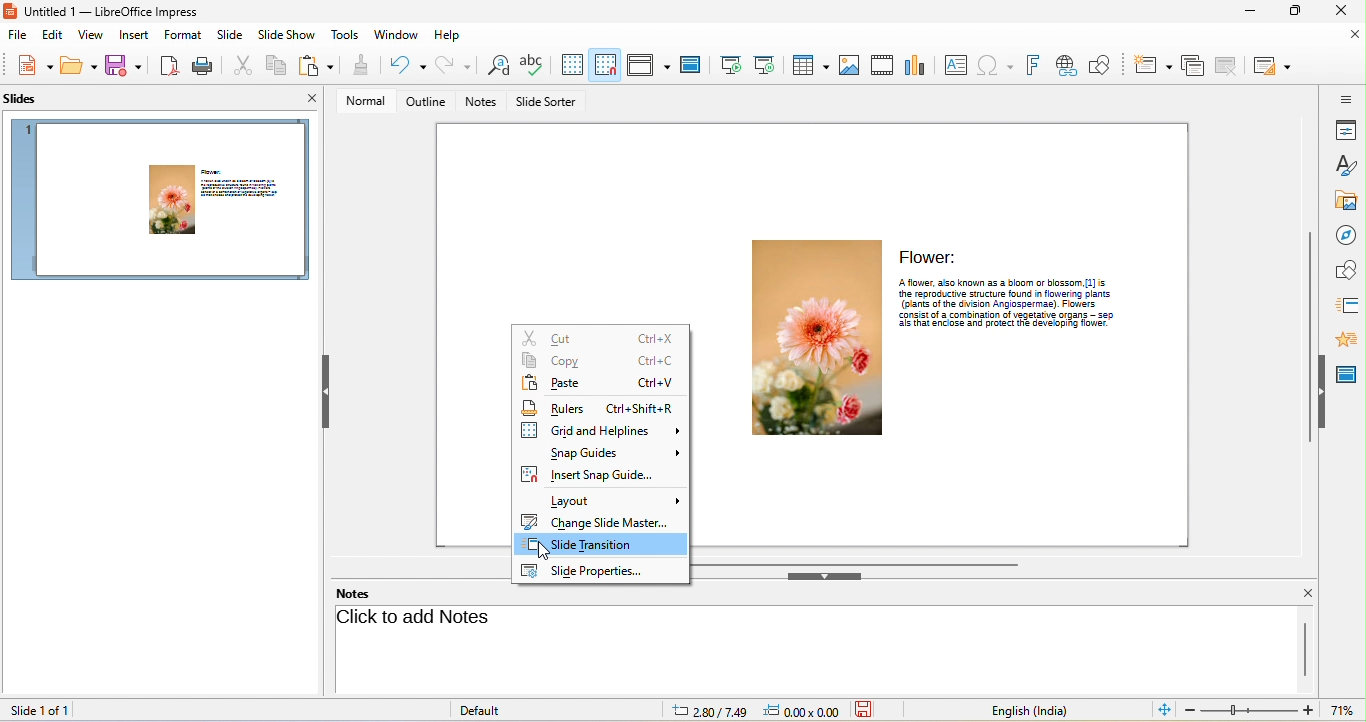  Describe the element at coordinates (1348, 304) in the screenshot. I see `slide transition` at that location.